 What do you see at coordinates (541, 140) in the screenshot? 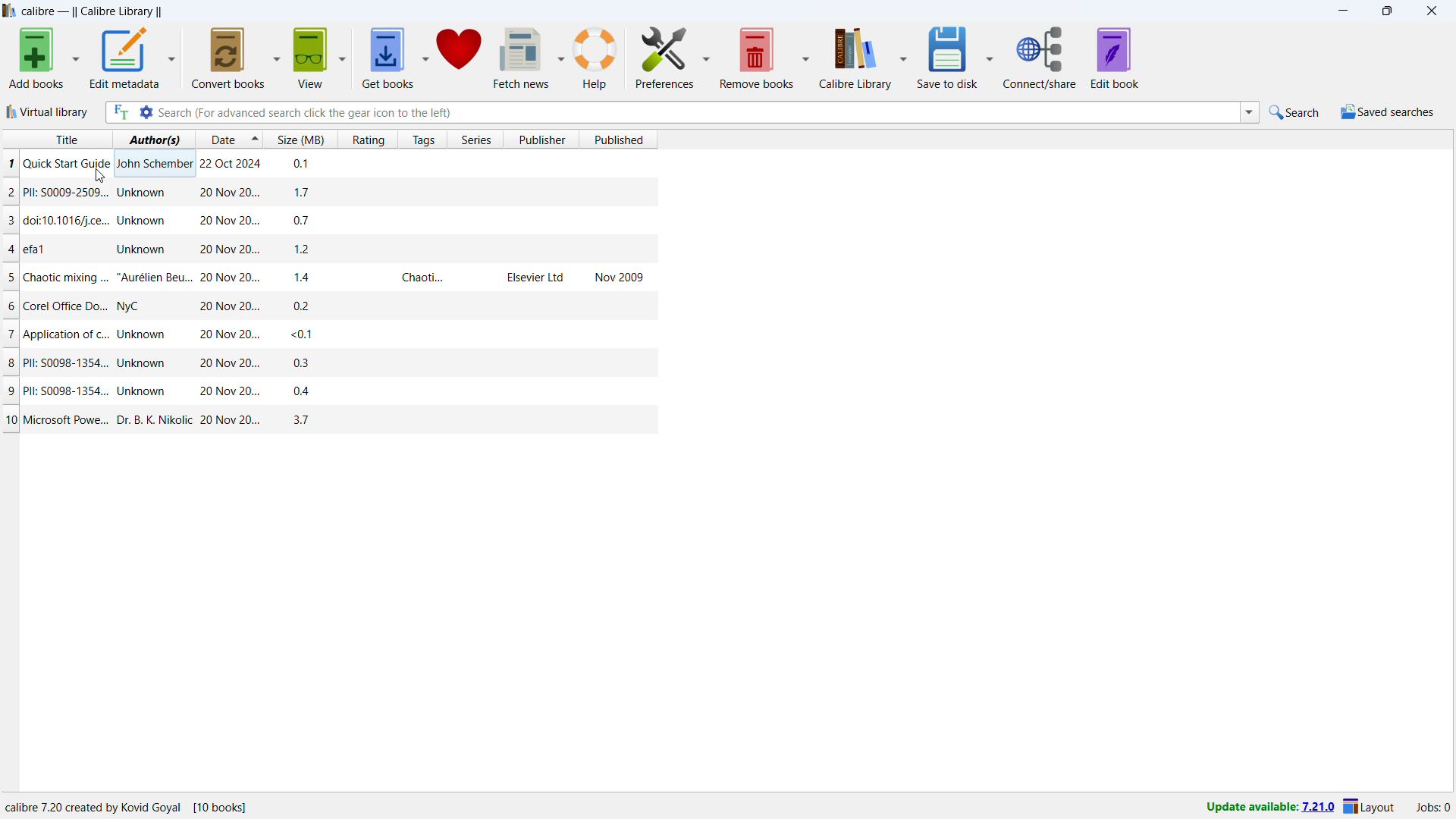
I see `sort by publisher` at bounding box center [541, 140].